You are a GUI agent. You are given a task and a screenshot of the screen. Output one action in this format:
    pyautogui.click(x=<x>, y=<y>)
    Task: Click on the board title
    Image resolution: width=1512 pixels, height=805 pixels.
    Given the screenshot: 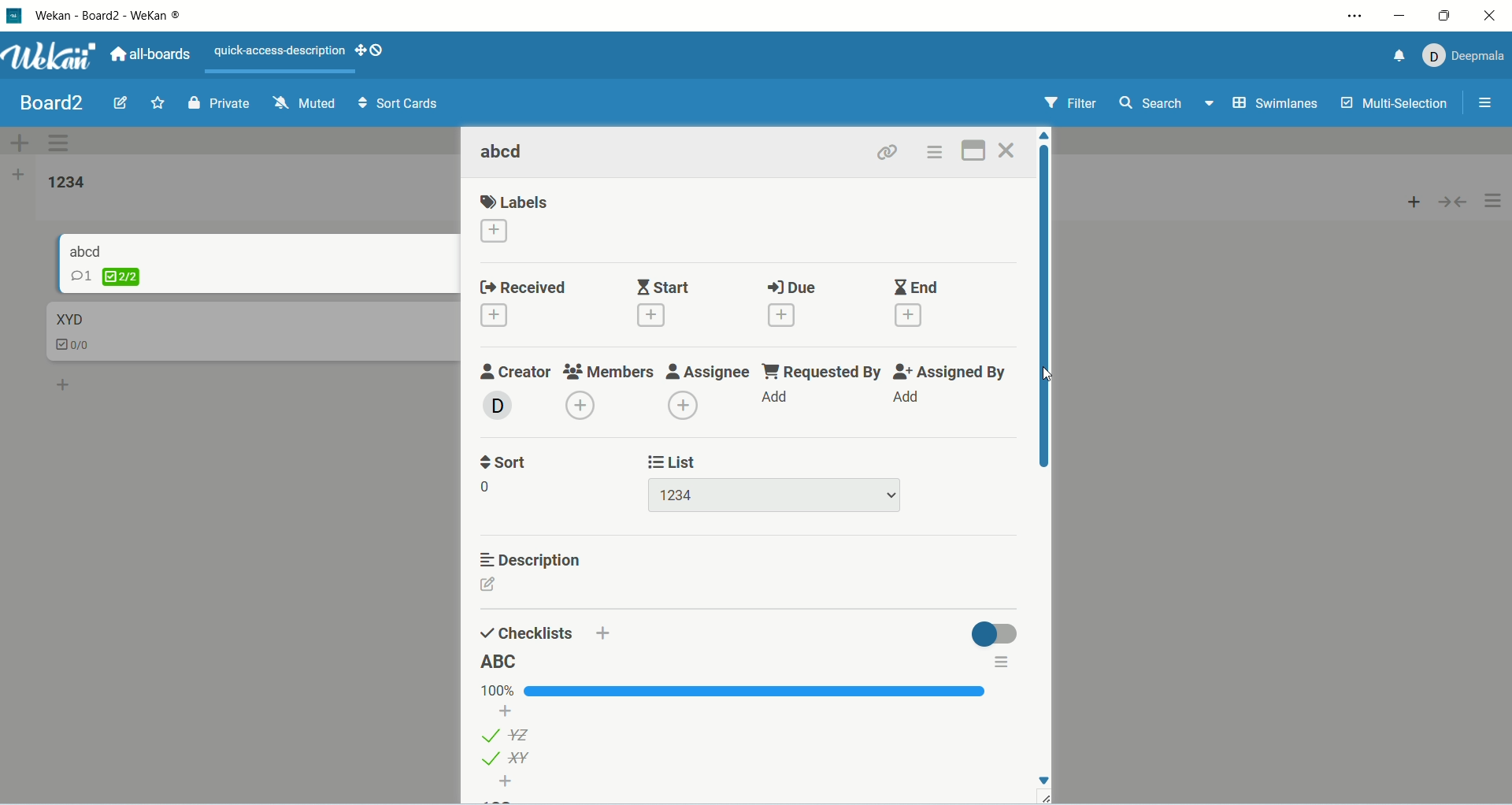 What is the action you would take?
    pyautogui.click(x=48, y=102)
    